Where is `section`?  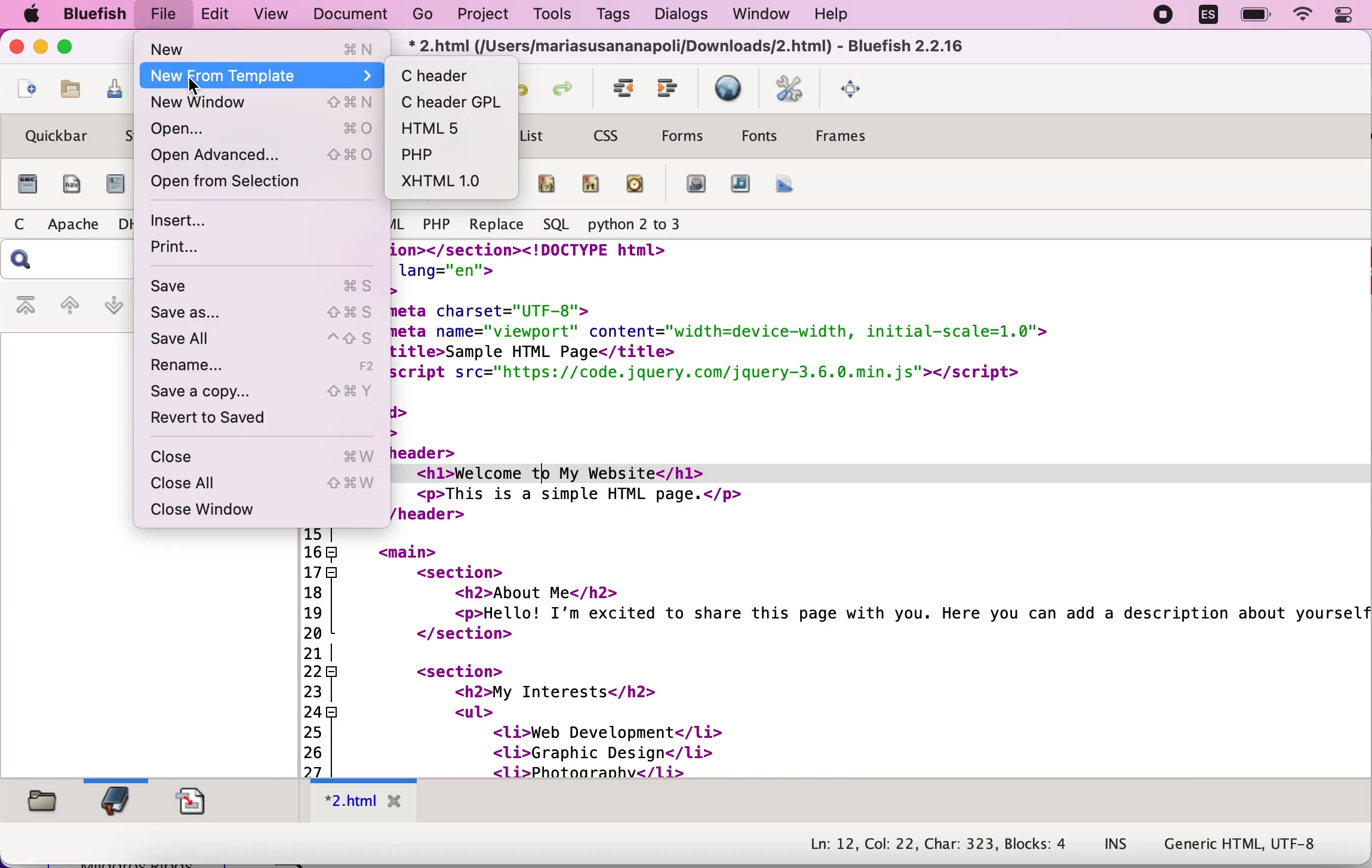
section is located at coordinates (26, 184).